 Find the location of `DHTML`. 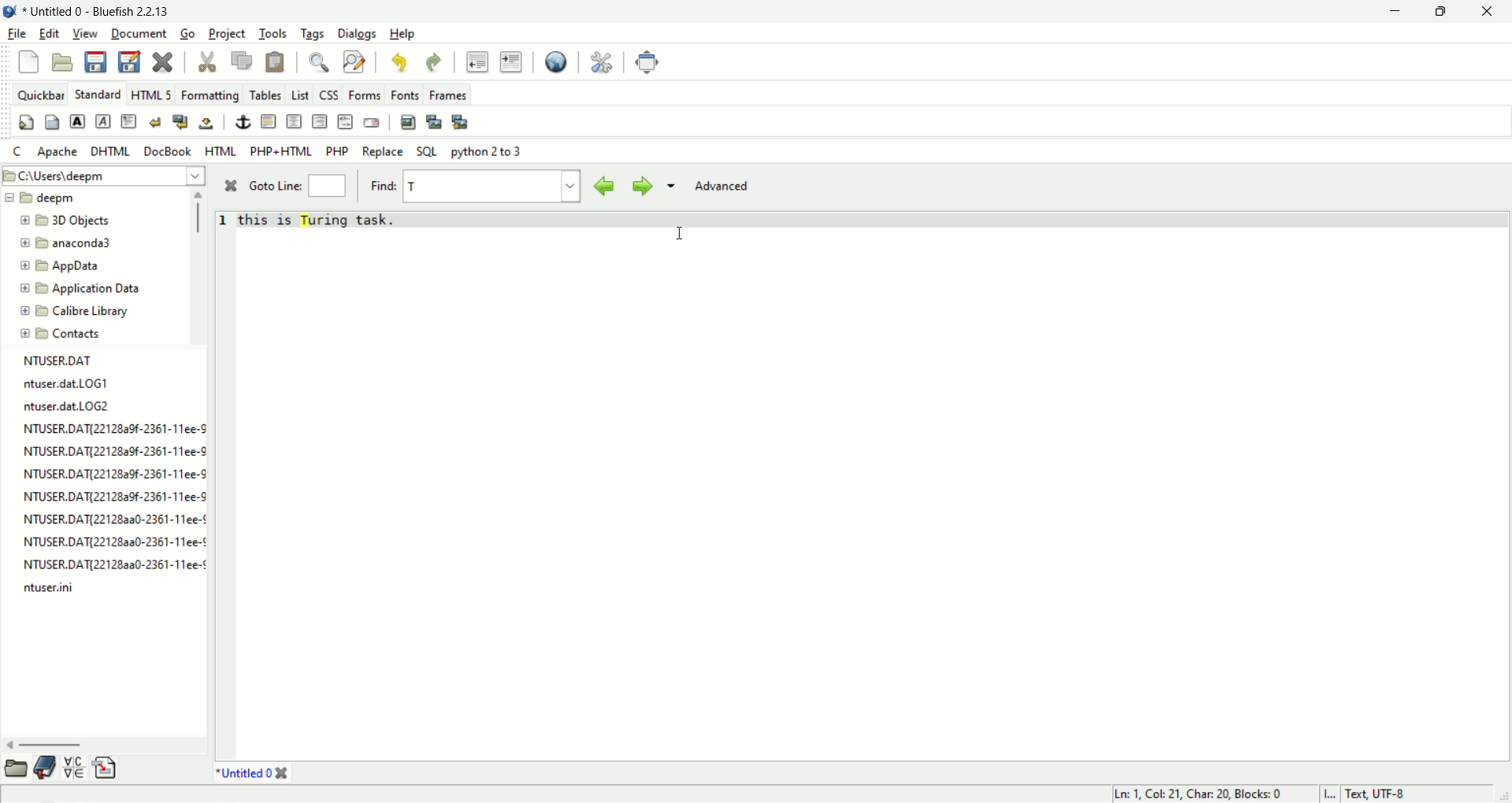

DHTML is located at coordinates (109, 151).